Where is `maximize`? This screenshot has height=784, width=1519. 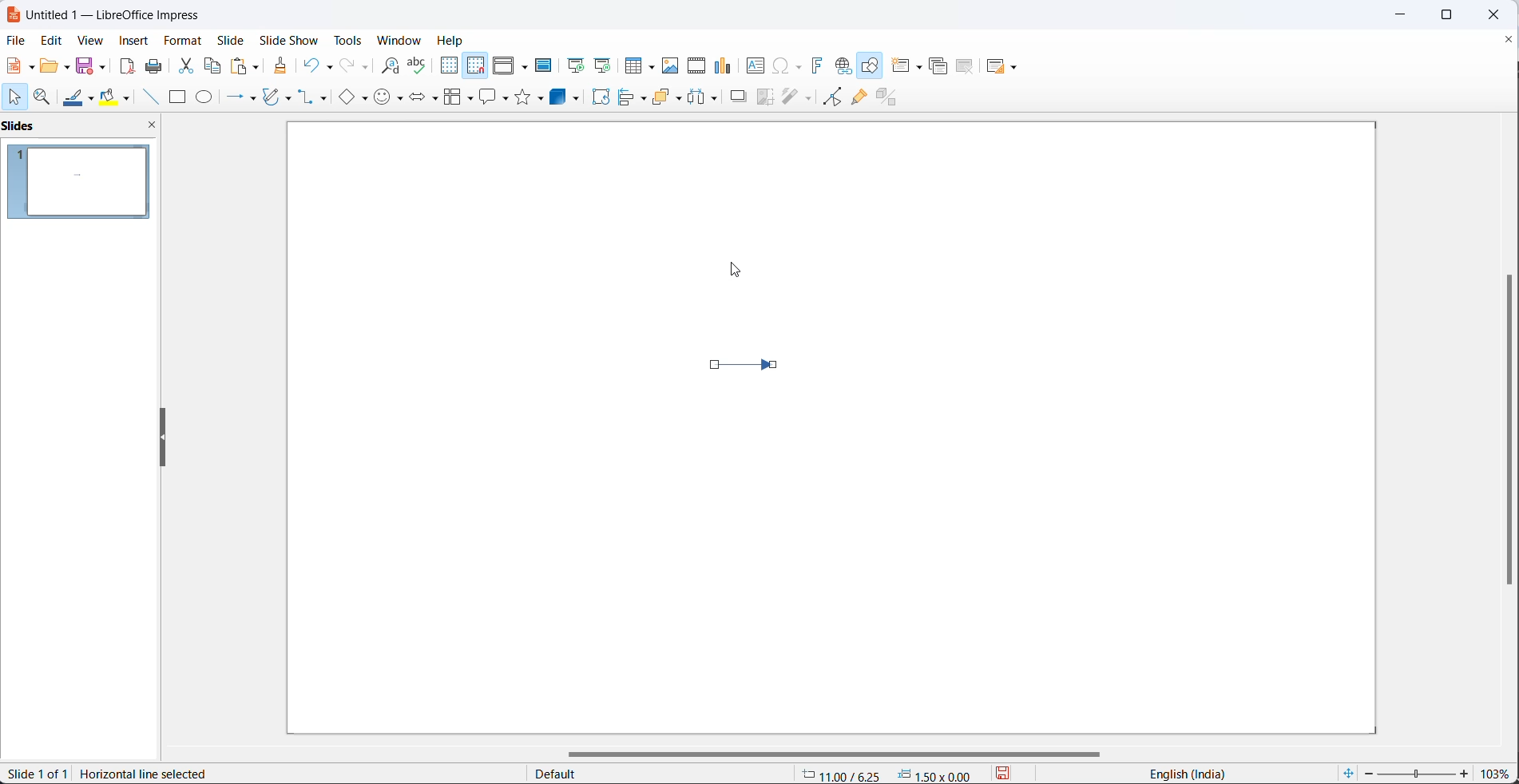 maximize is located at coordinates (1457, 14).